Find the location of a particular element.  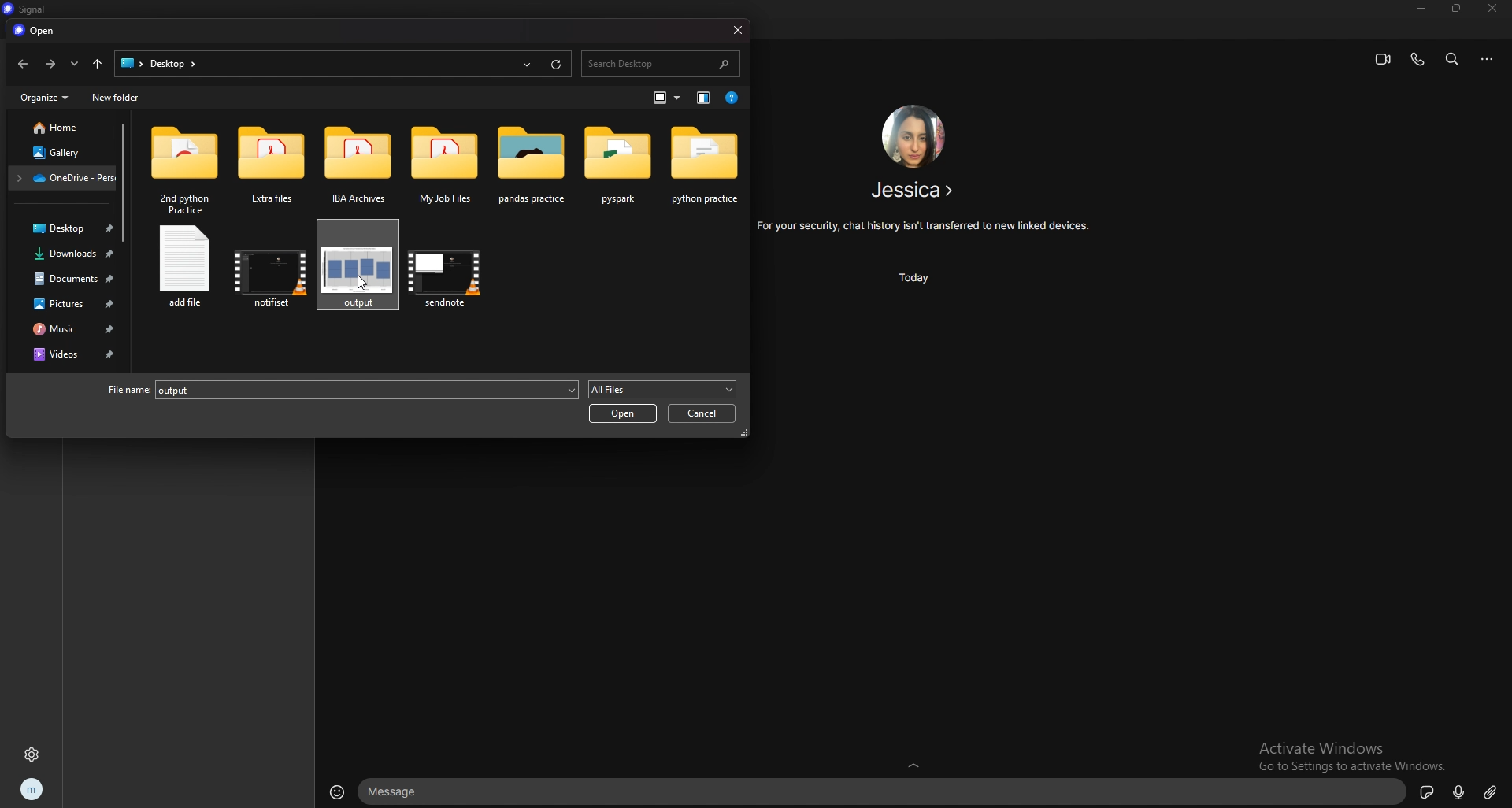

title is located at coordinates (25, 8).